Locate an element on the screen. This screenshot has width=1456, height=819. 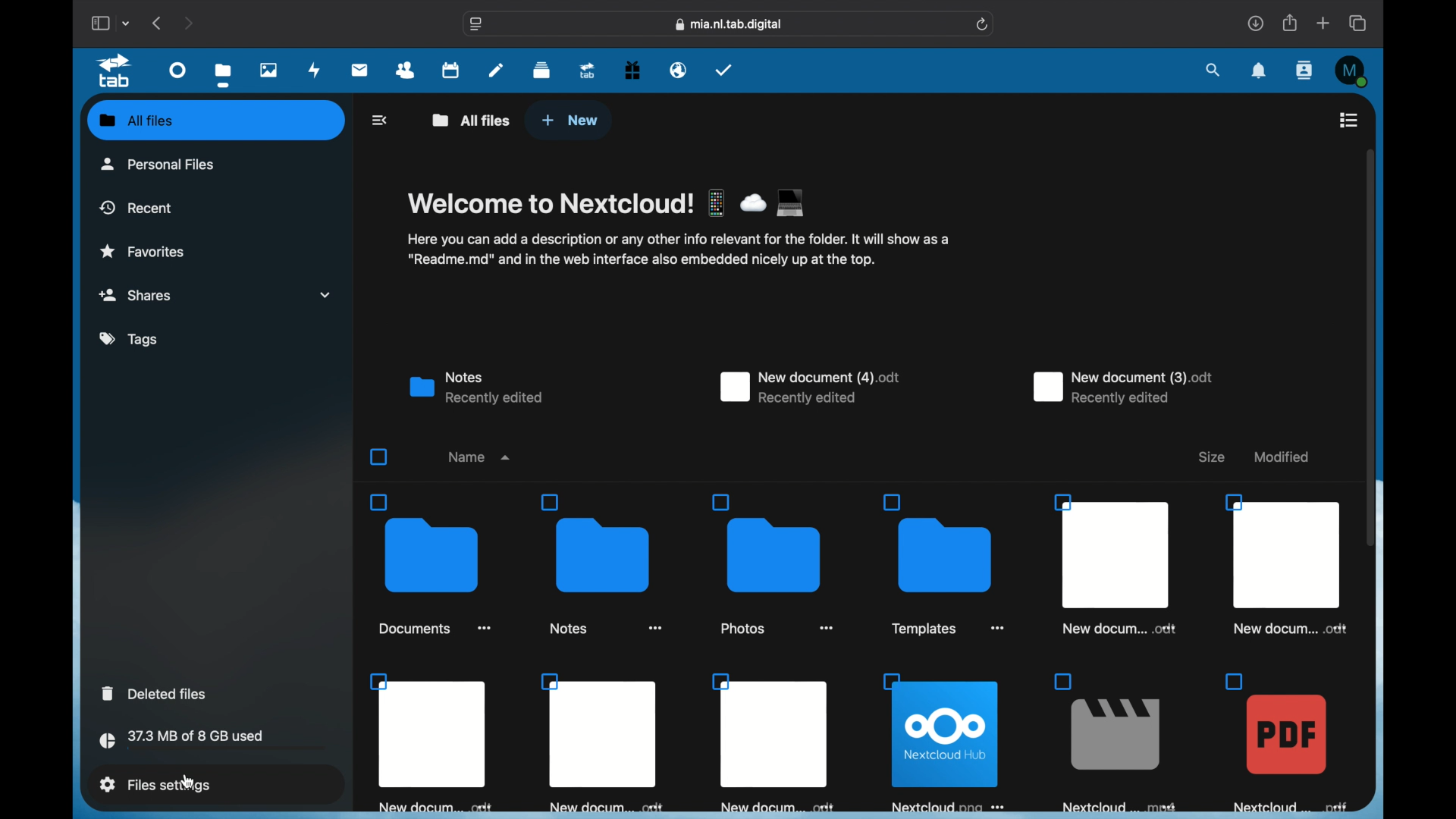
file is located at coordinates (943, 742).